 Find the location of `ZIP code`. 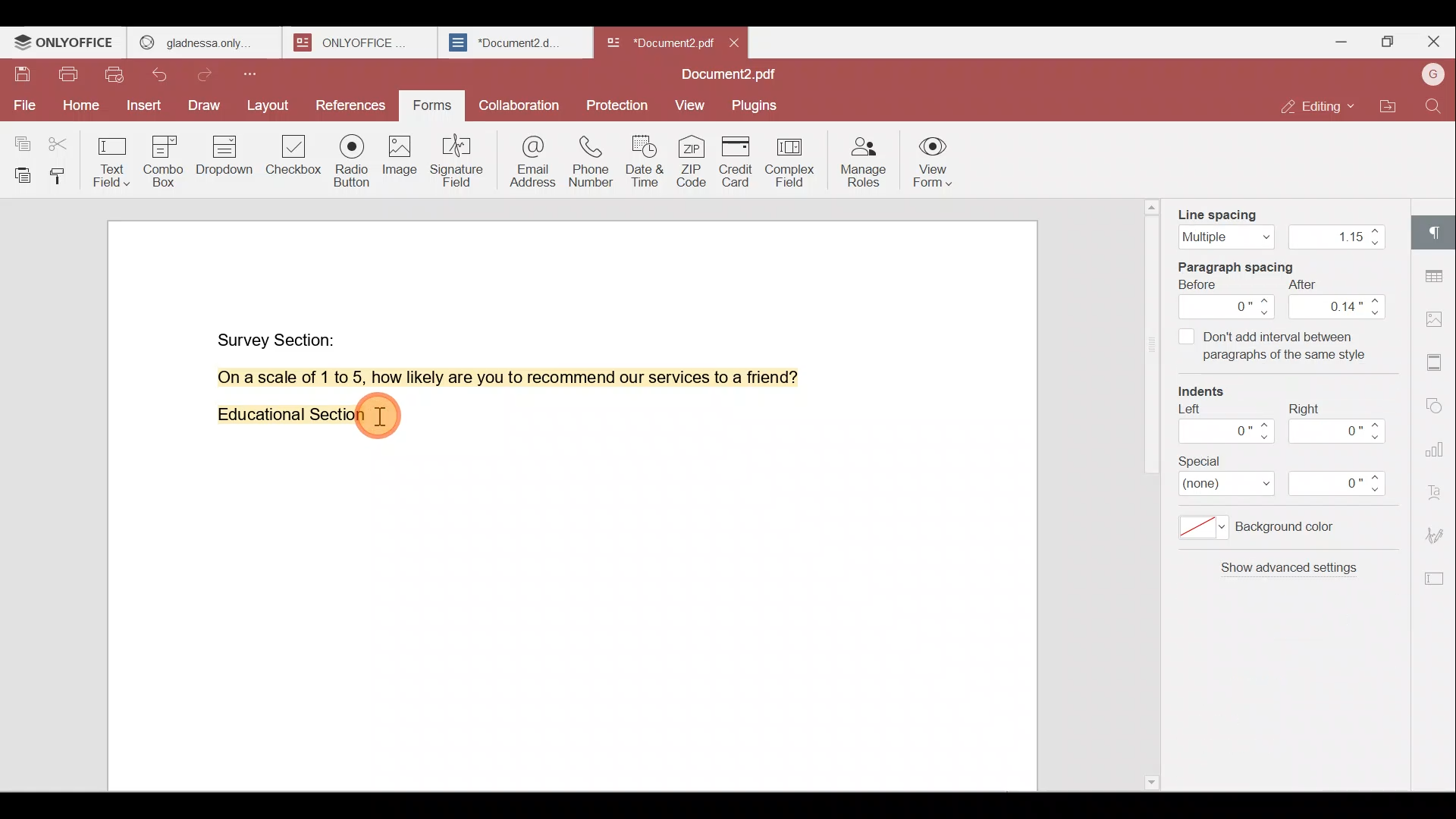

ZIP code is located at coordinates (693, 160).